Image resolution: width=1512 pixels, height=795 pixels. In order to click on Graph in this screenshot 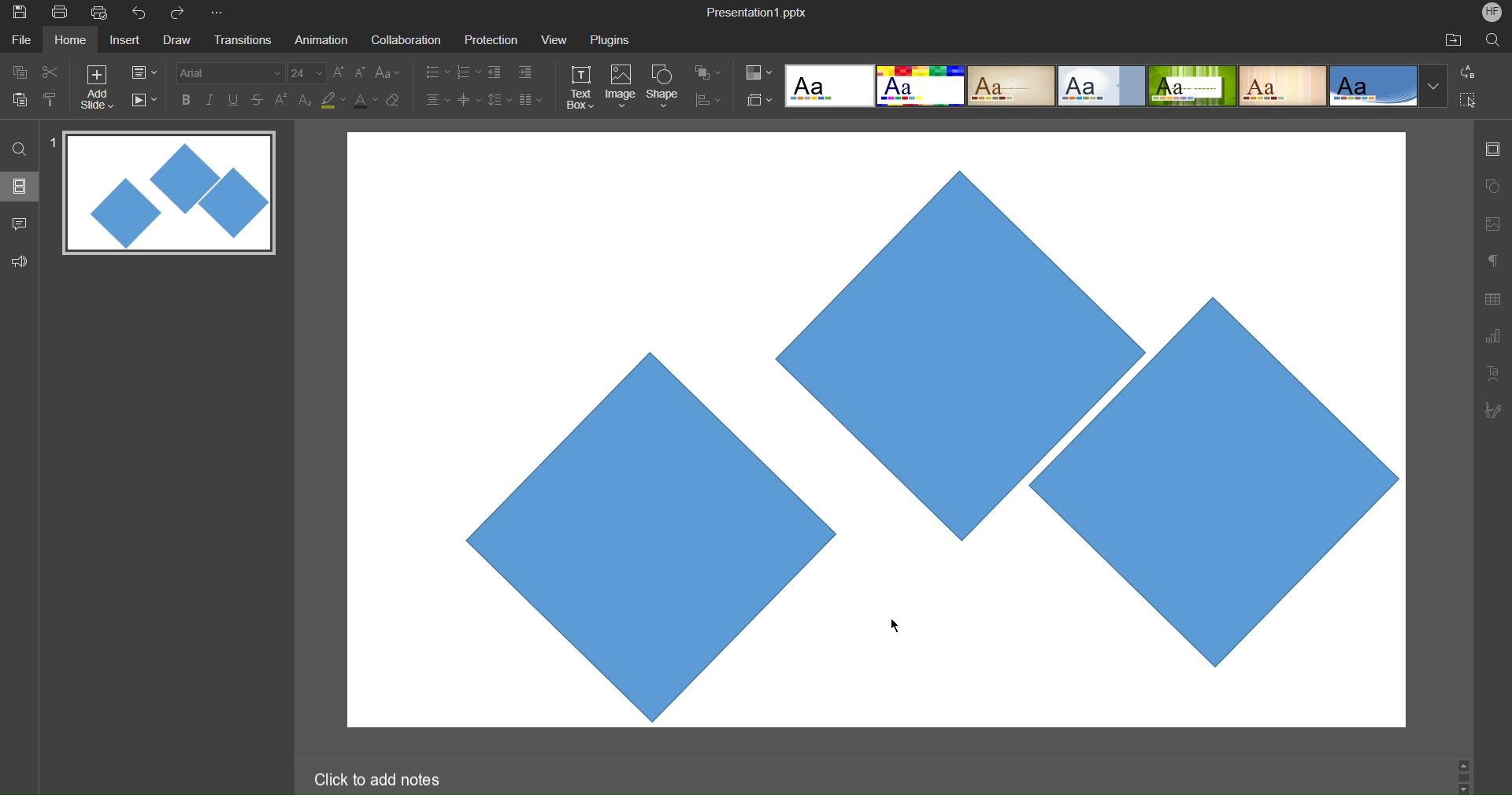, I will do `click(1492, 338)`.